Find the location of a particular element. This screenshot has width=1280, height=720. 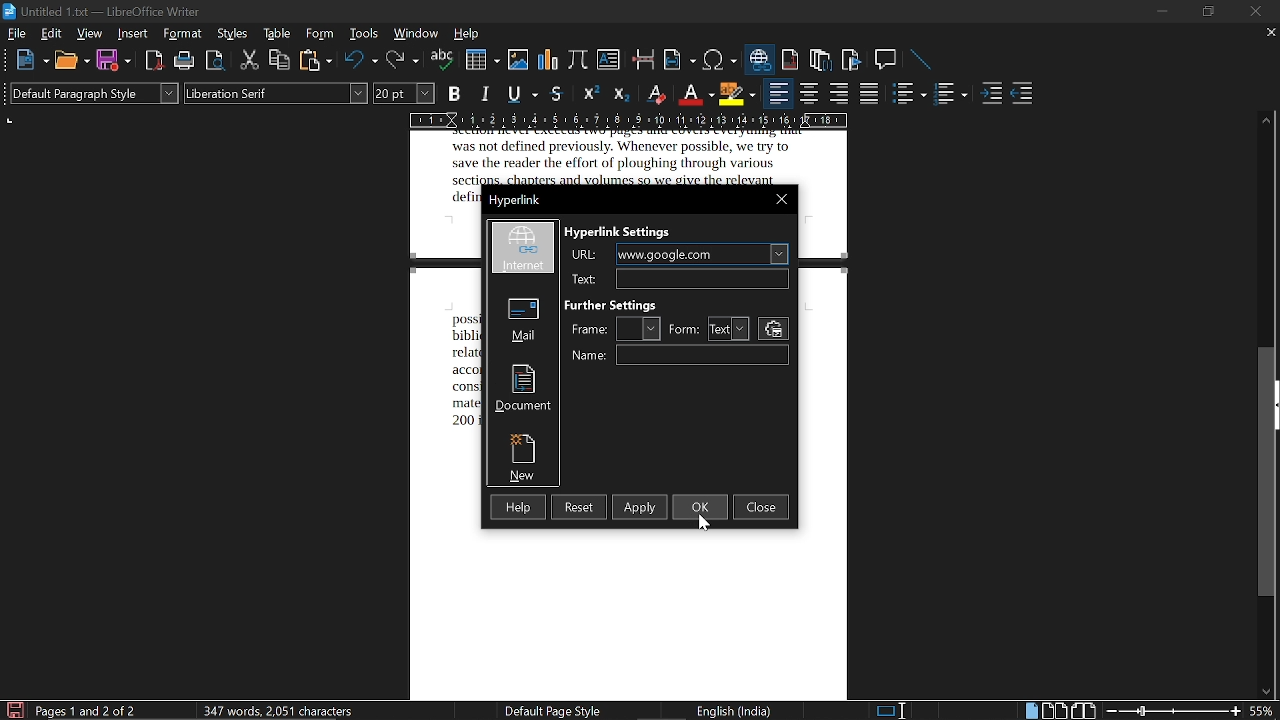

insert formula is located at coordinates (578, 62).